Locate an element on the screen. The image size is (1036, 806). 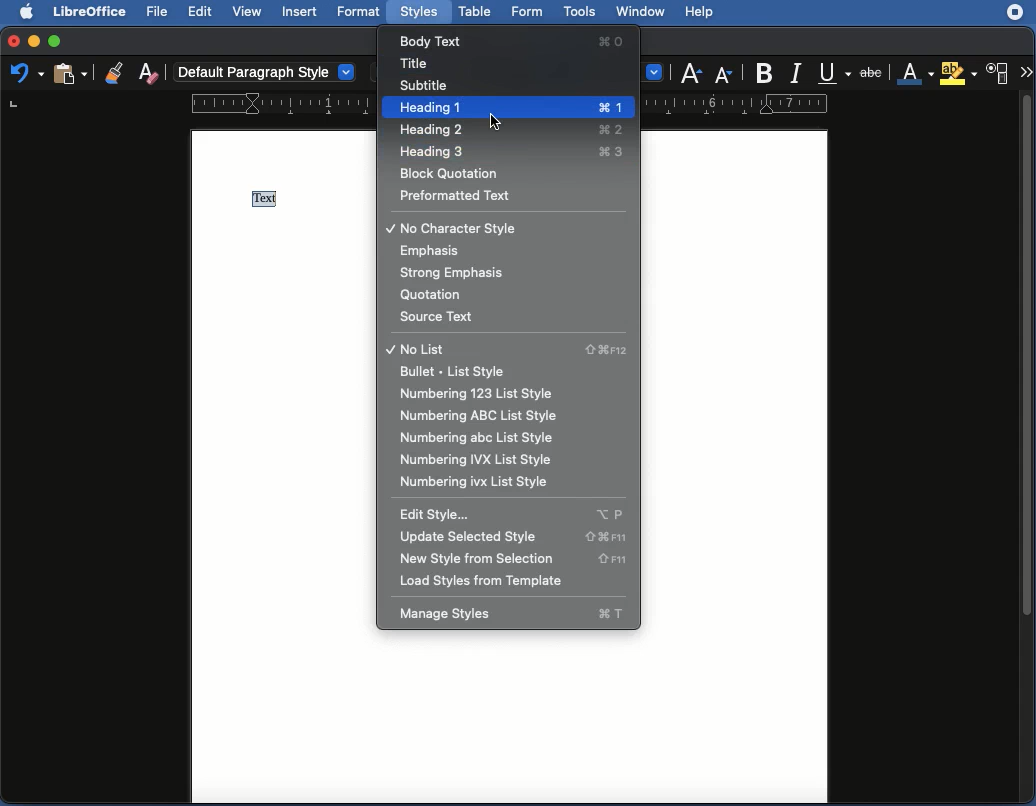
Manage styles is located at coordinates (513, 617).